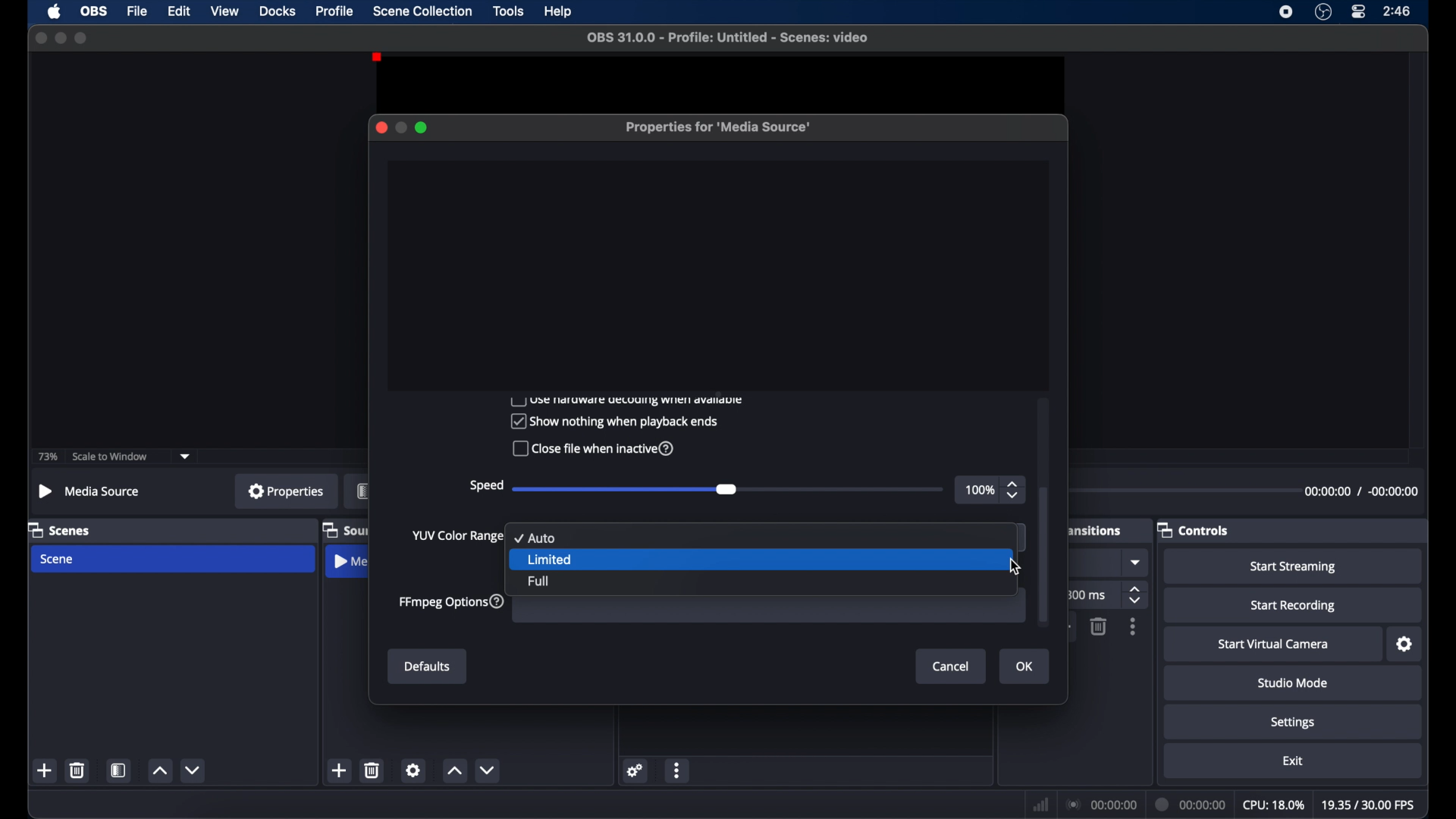  Describe the element at coordinates (46, 457) in the screenshot. I see `73%` at that location.